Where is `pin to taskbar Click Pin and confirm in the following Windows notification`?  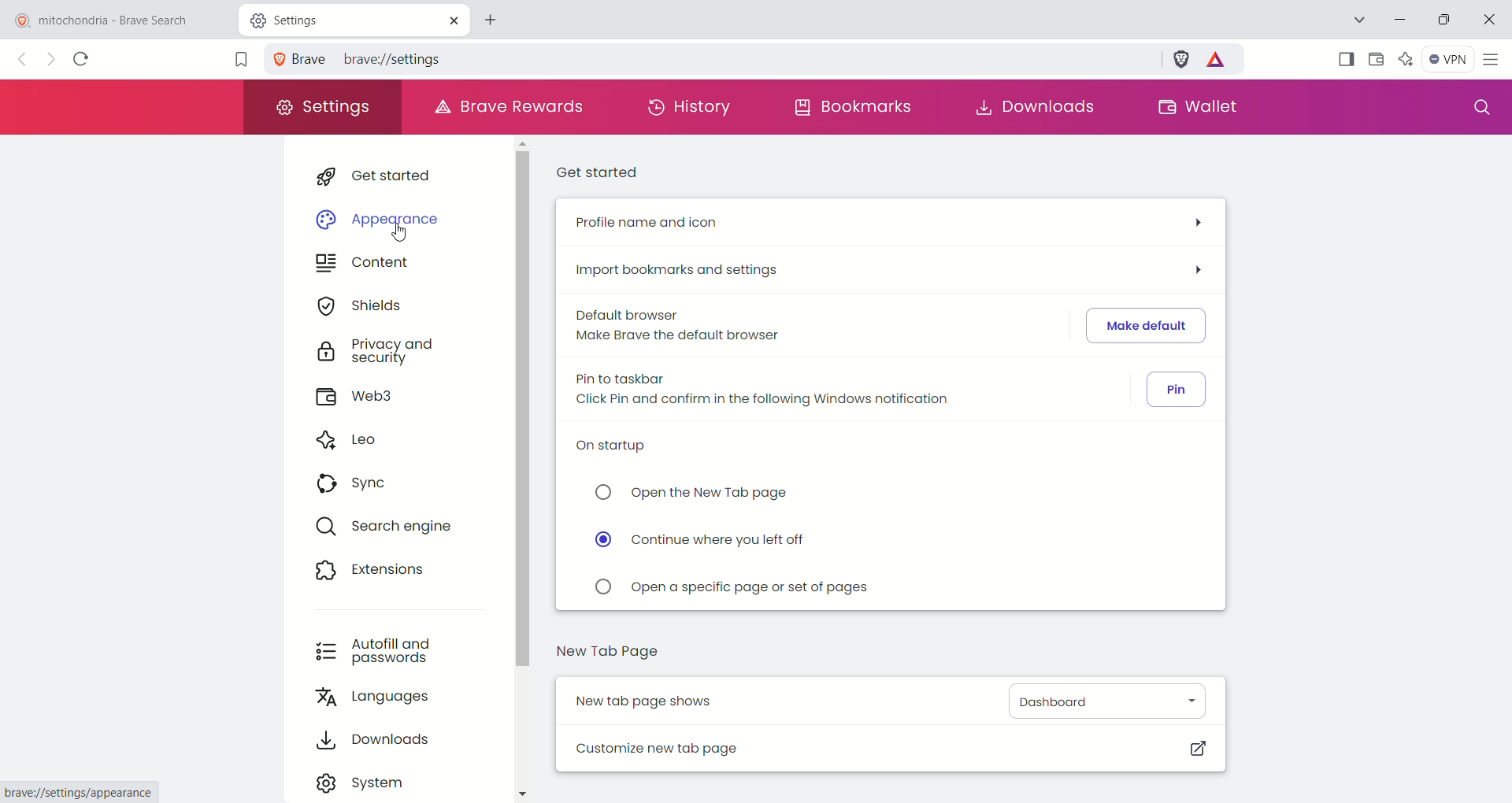 pin to taskbar Click Pin and confirm in the following Windows notification is located at coordinates (781, 392).